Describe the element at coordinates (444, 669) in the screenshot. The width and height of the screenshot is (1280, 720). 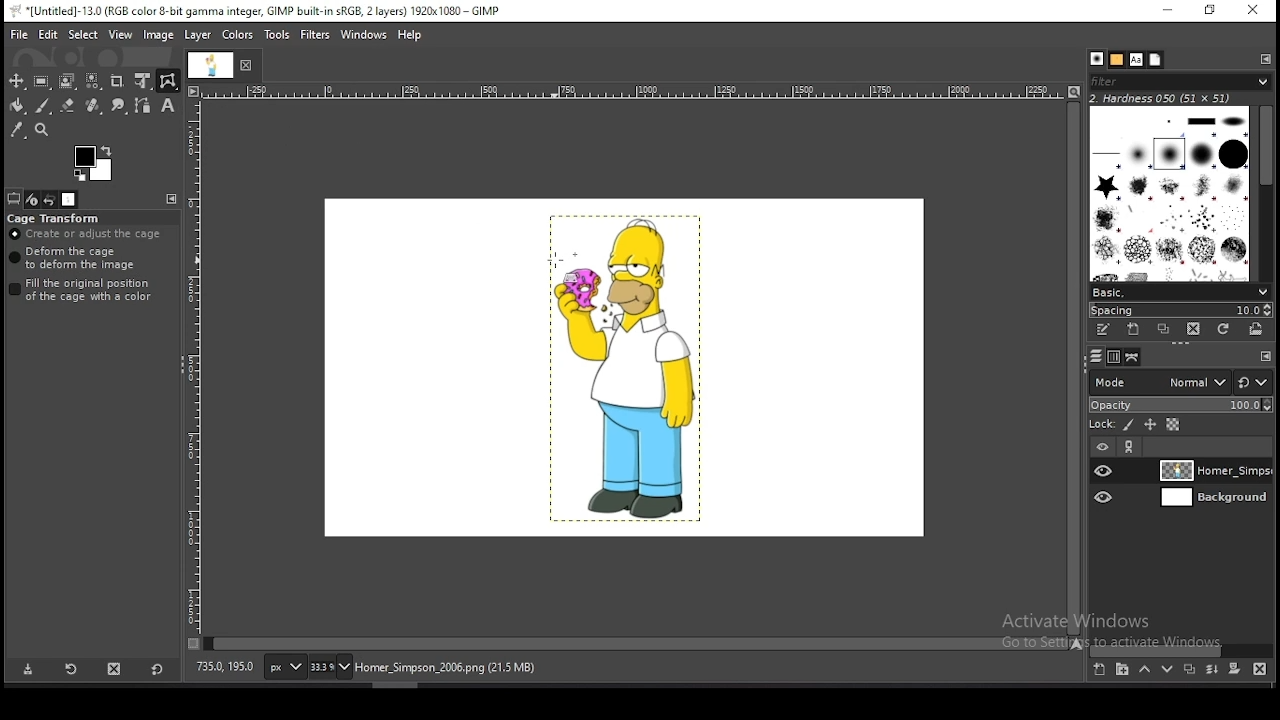
I see `home_simpsons_2006.png (21.5 mb)` at that location.